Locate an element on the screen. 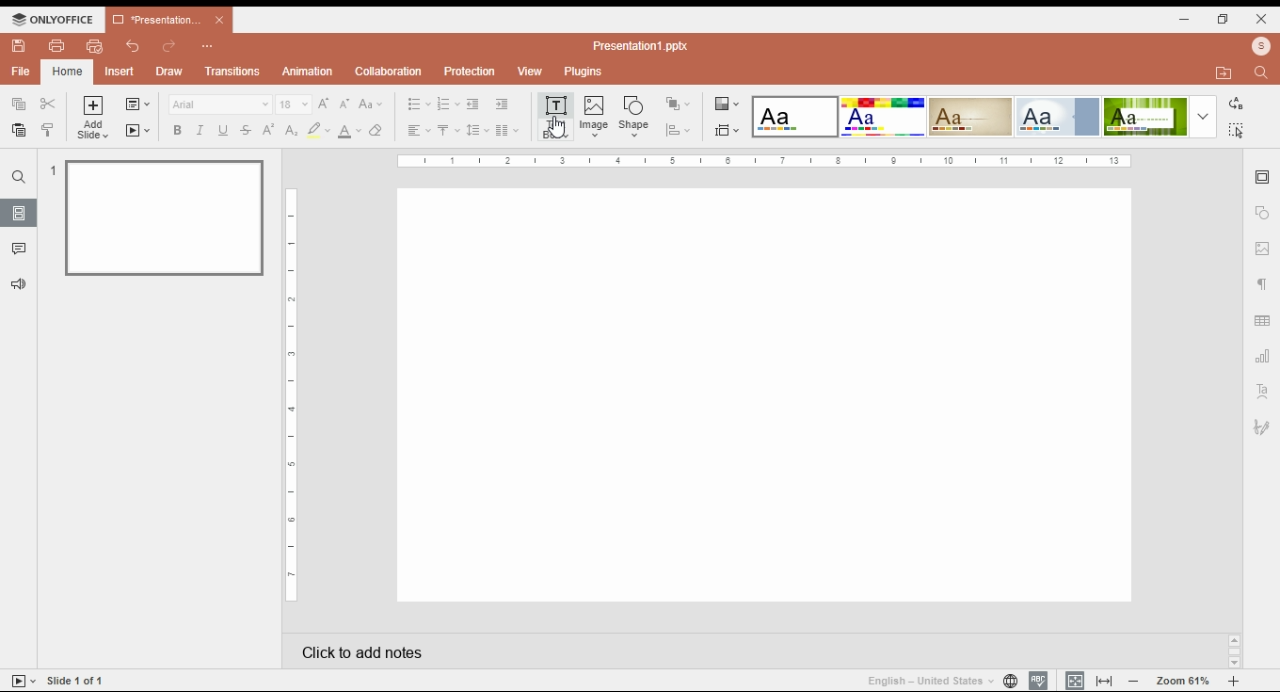 This screenshot has width=1280, height=692. Ruler is located at coordinates (291, 394).